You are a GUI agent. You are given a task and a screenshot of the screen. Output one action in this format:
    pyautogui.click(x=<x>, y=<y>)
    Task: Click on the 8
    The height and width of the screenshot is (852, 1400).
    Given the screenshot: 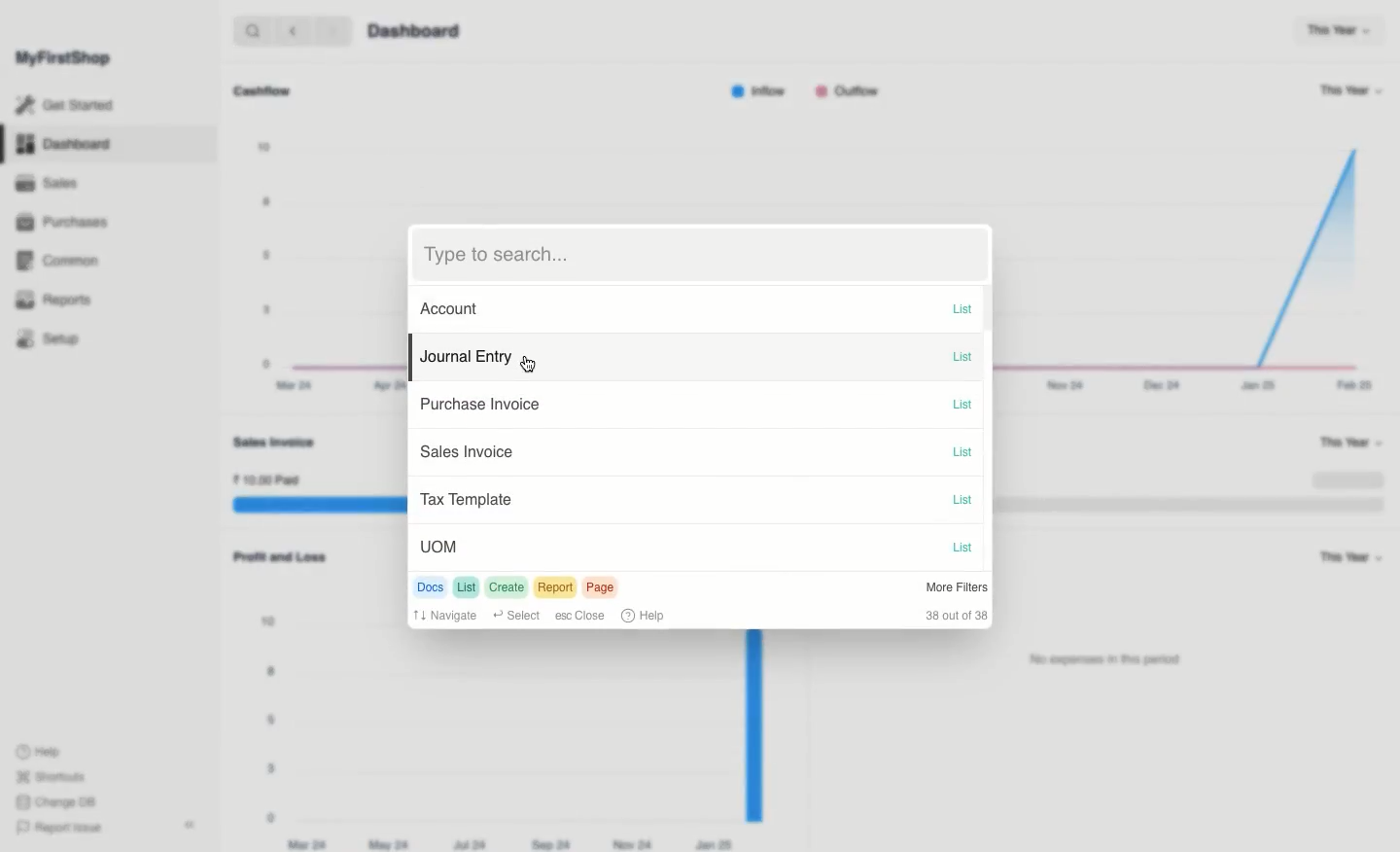 What is the action you would take?
    pyautogui.click(x=266, y=671)
    